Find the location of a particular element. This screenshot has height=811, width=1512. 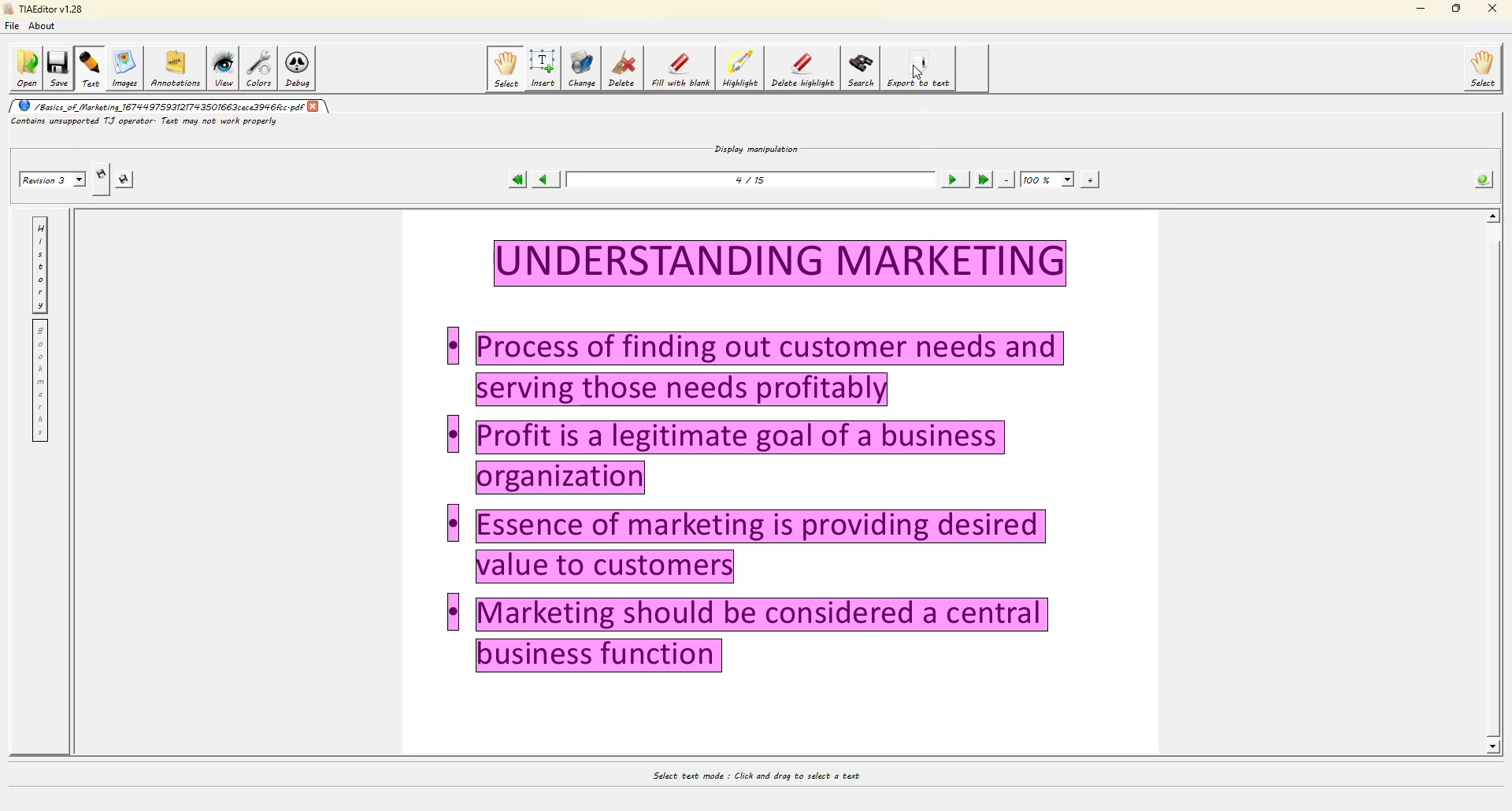

close is located at coordinates (313, 106).